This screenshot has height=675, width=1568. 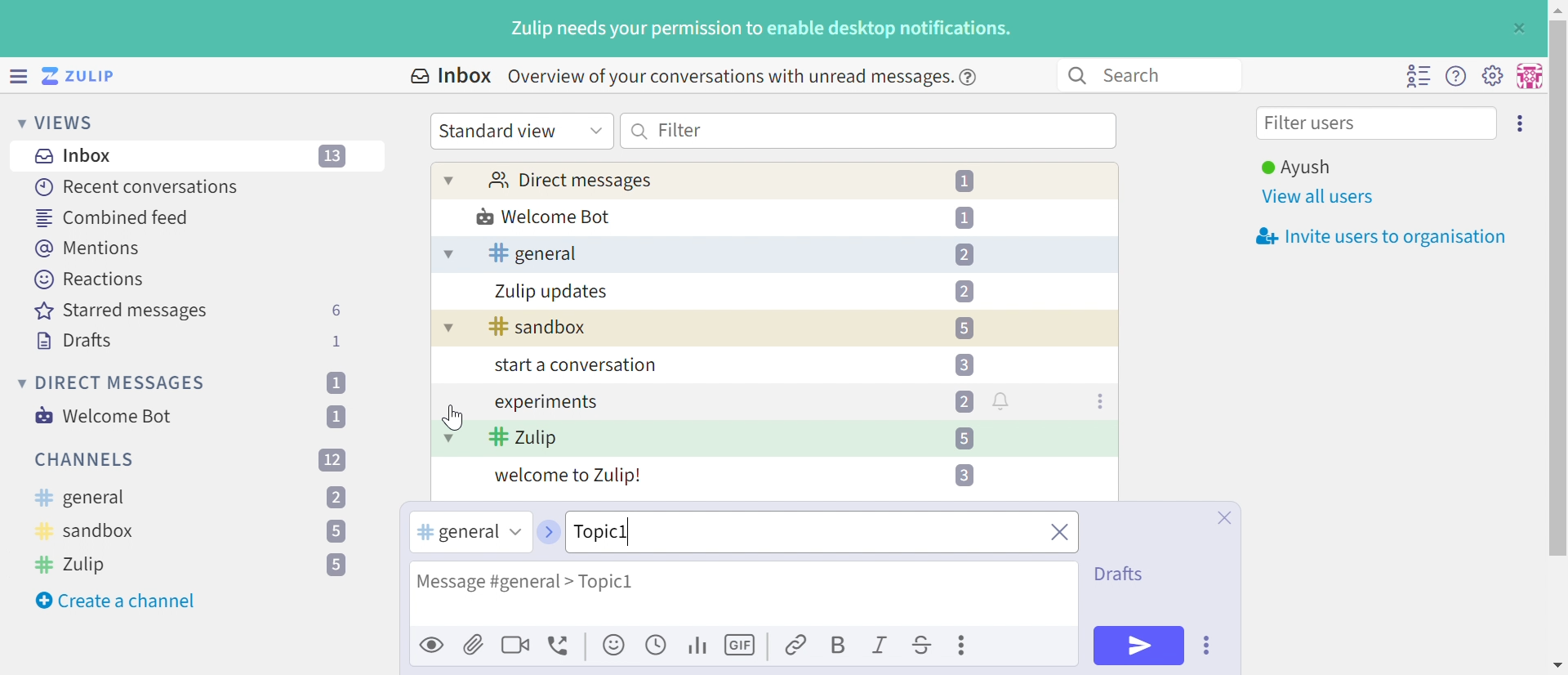 What do you see at coordinates (335, 533) in the screenshot?
I see `5` at bounding box center [335, 533].